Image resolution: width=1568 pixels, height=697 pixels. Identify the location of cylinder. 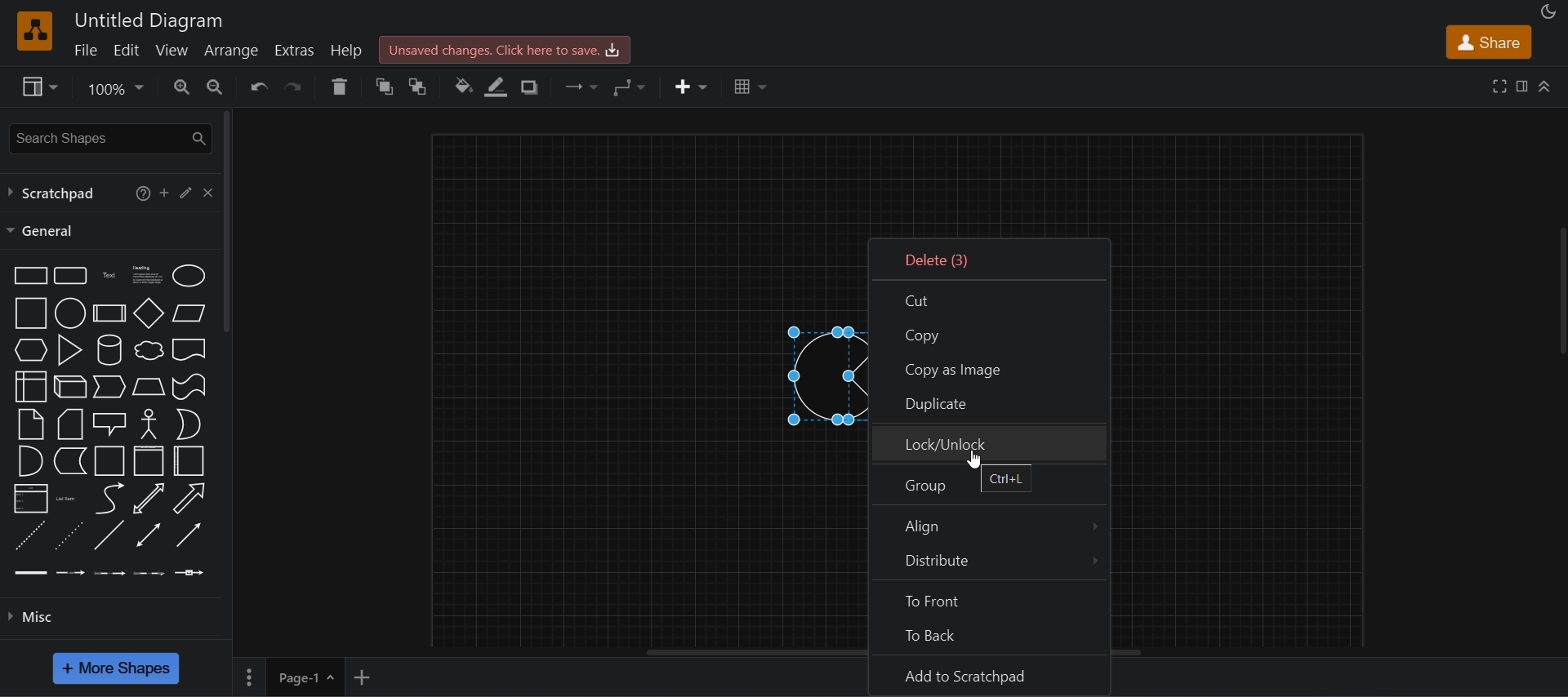
(108, 349).